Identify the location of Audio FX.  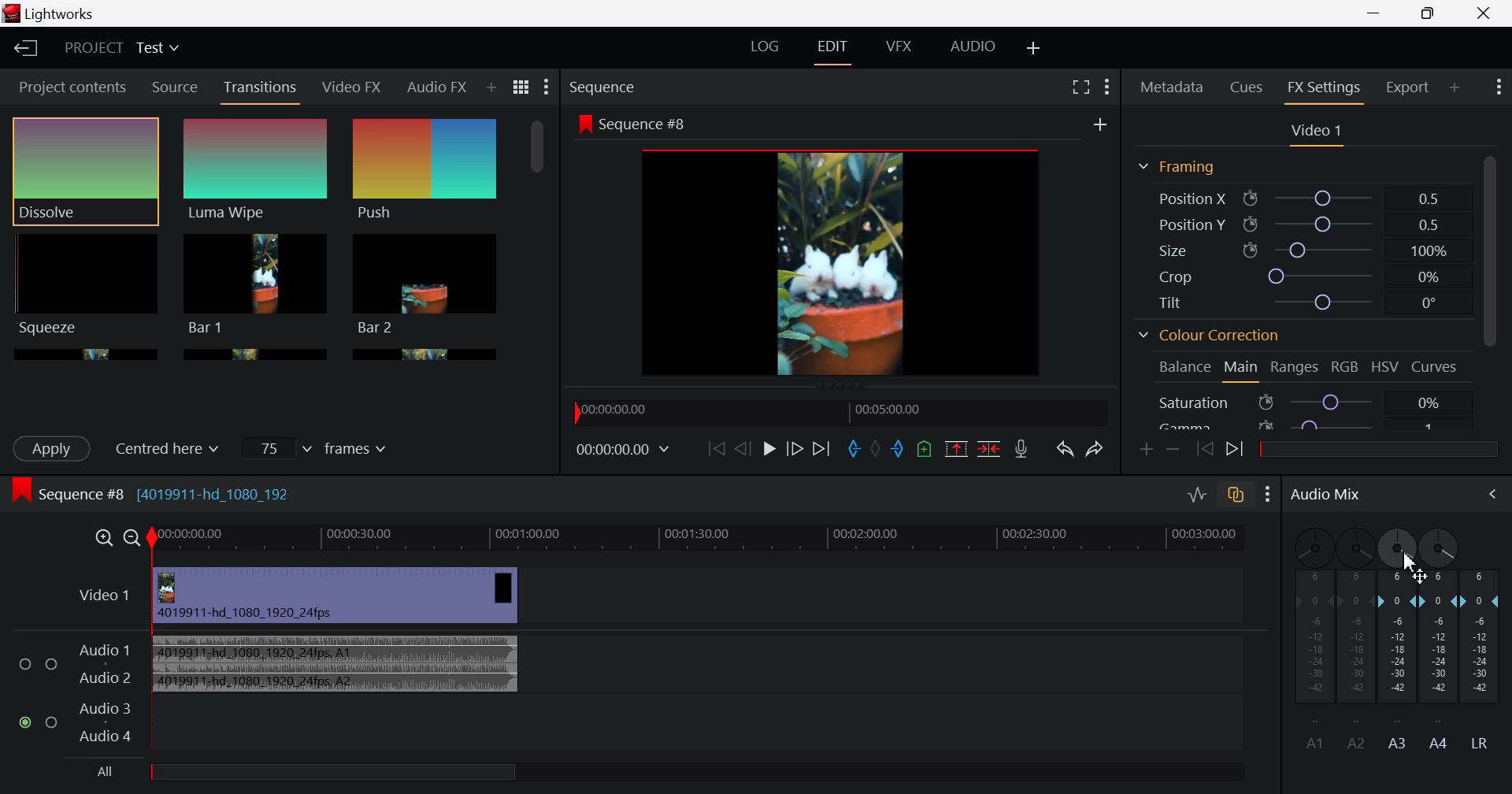
(435, 90).